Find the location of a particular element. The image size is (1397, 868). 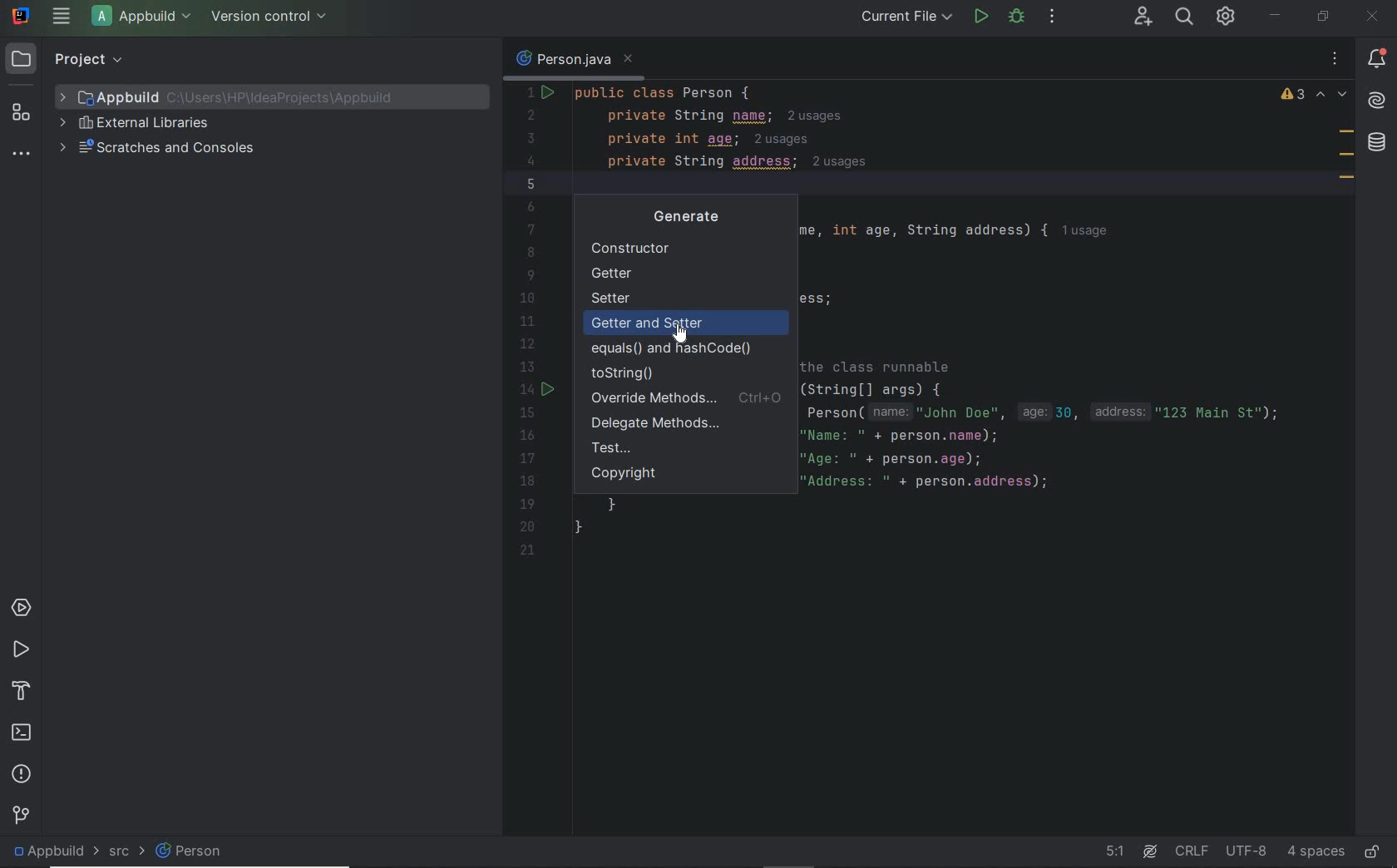

make file ready only is located at coordinates (1375, 854).